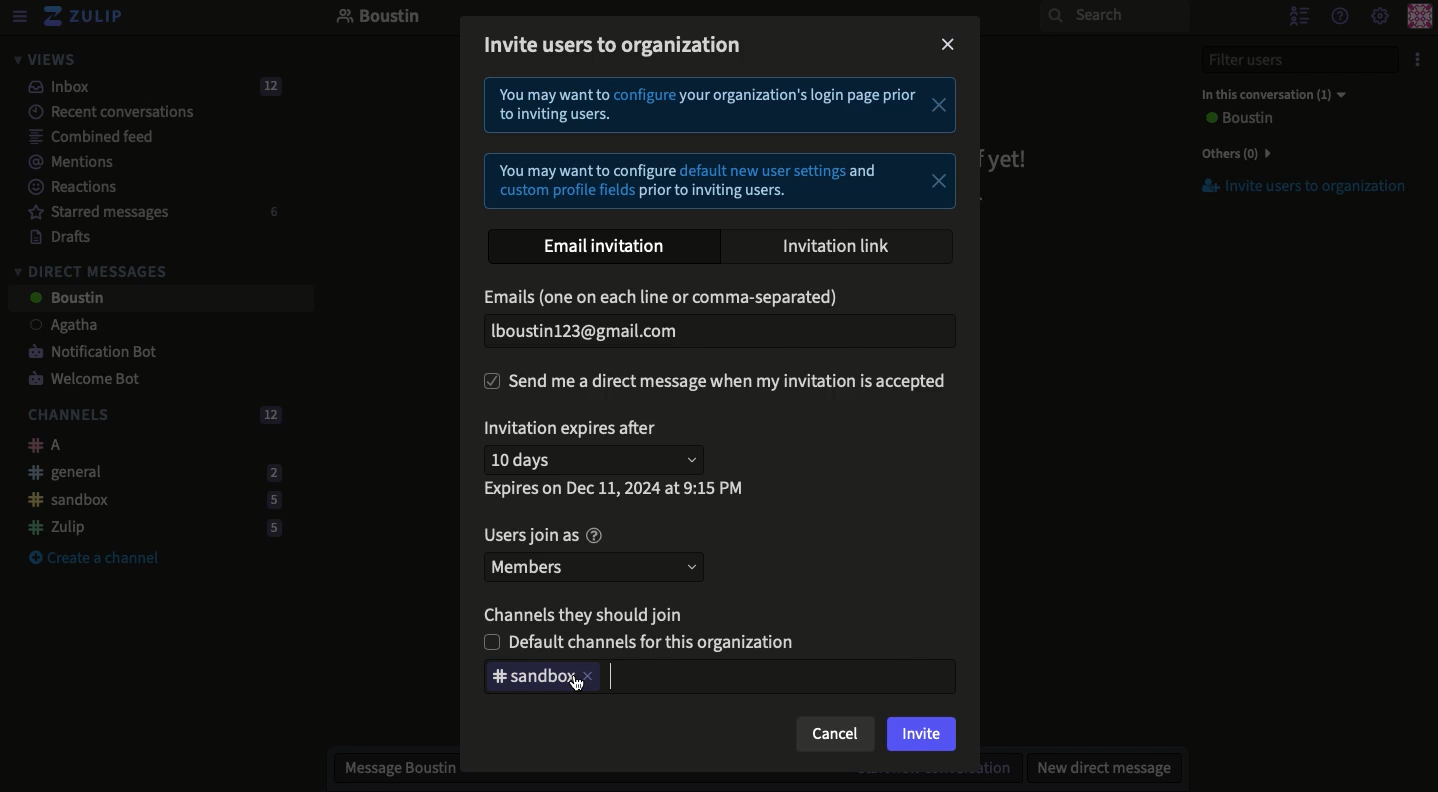 This screenshot has width=1438, height=792. Describe the element at coordinates (147, 501) in the screenshot. I see `Sandbox` at that location.